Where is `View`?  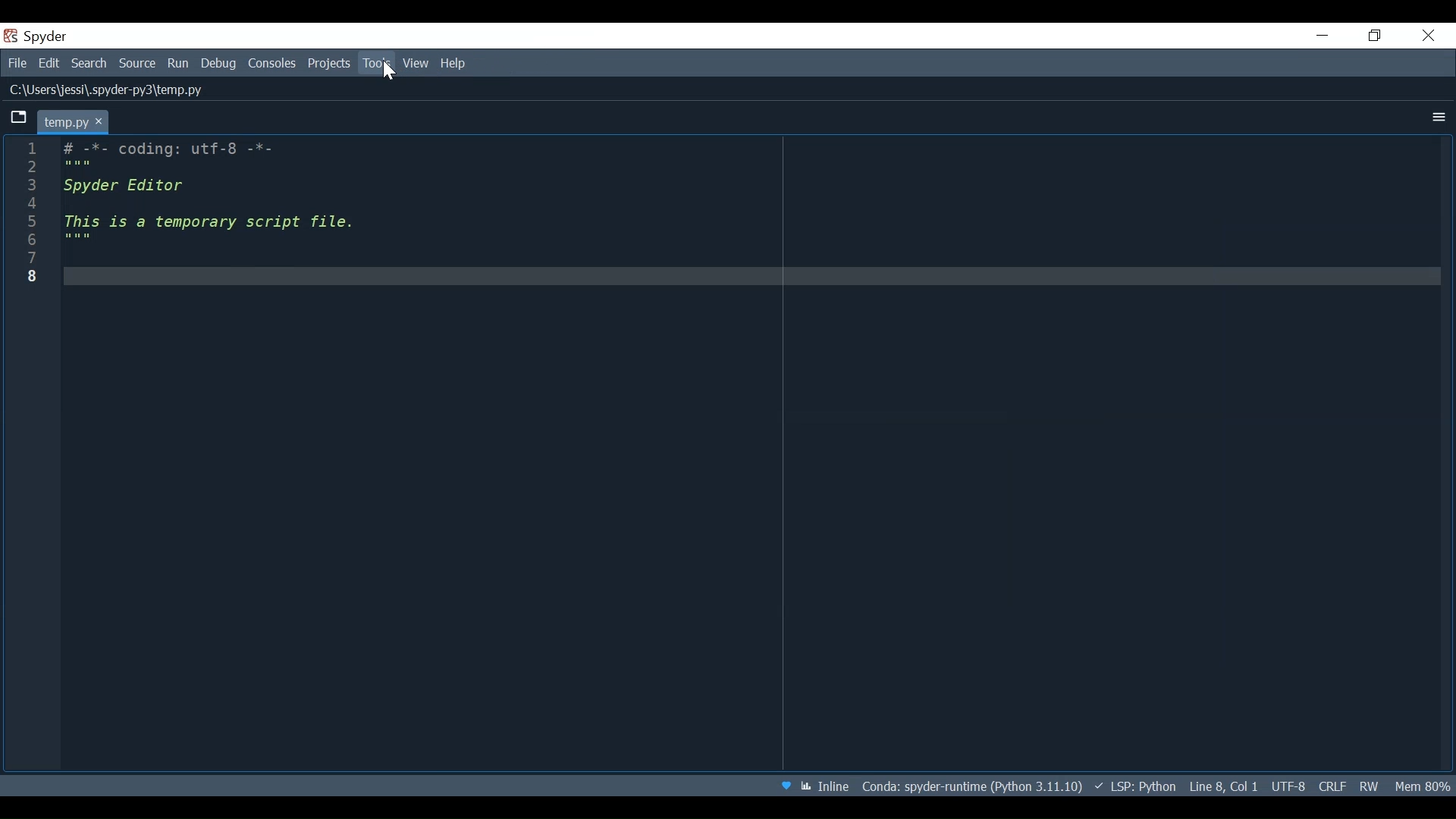 View is located at coordinates (418, 64).